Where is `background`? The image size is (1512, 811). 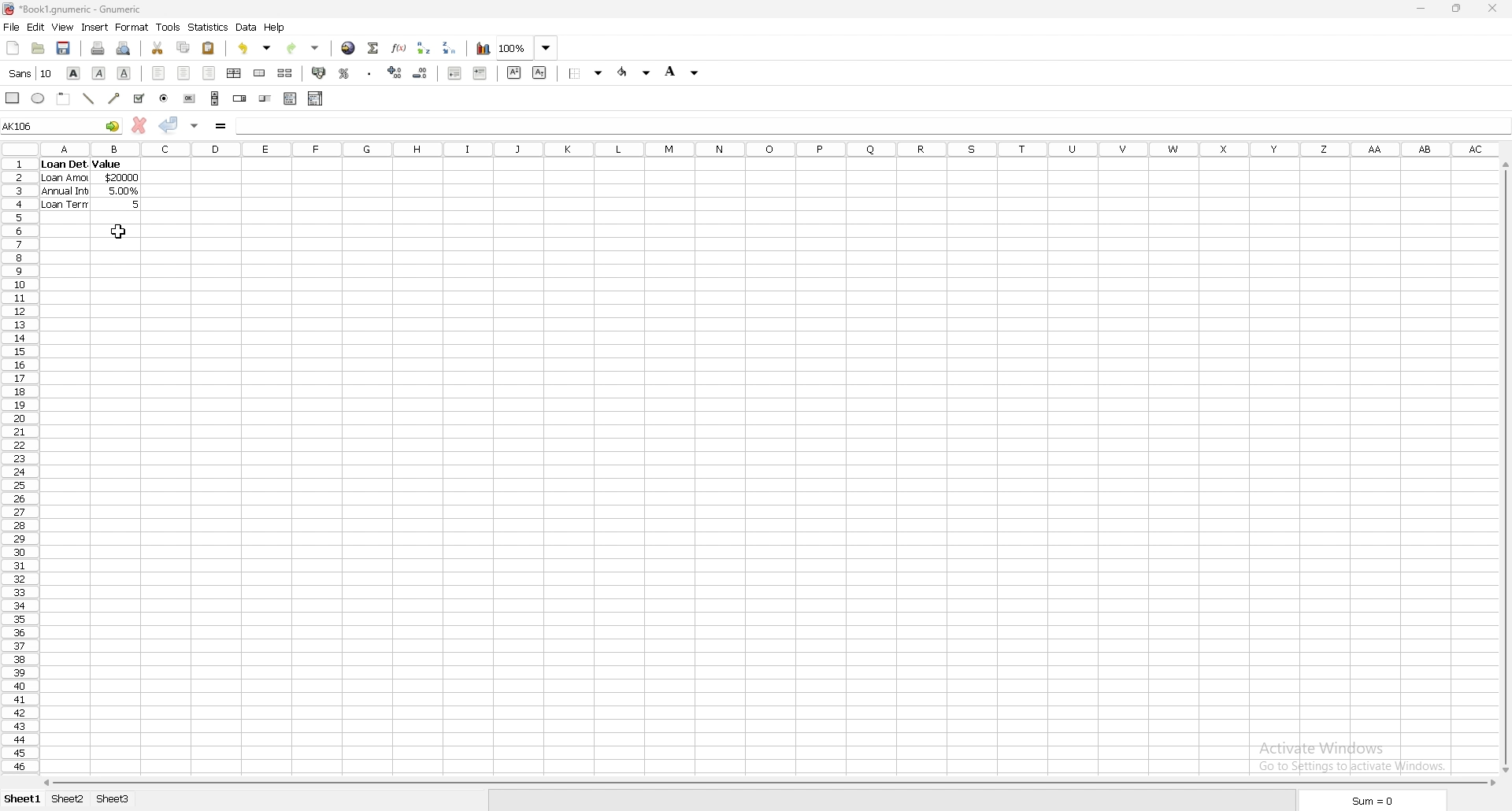
background is located at coordinates (682, 71).